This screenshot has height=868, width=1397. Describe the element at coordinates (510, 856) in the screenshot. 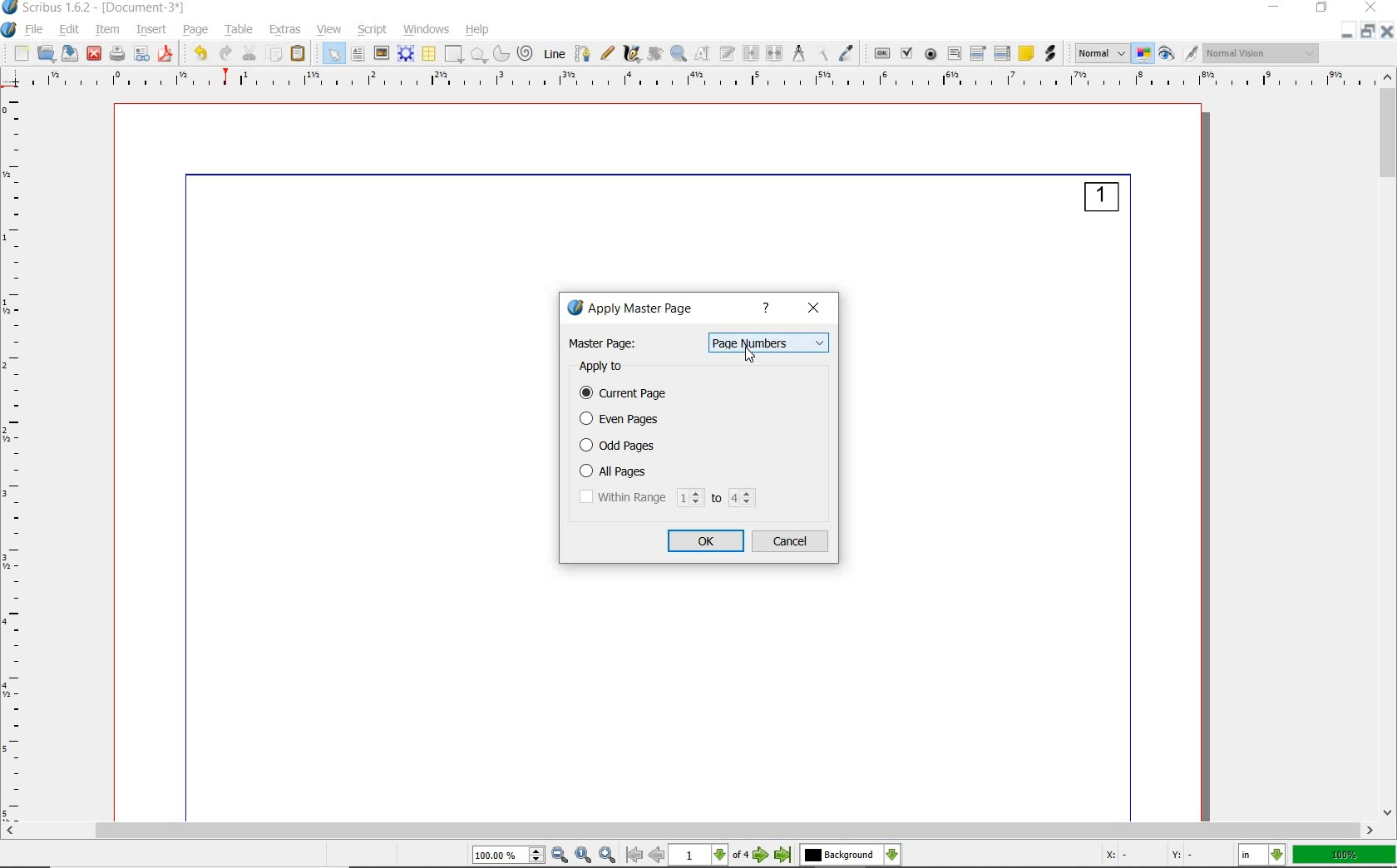

I see `select current zoom level` at that location.